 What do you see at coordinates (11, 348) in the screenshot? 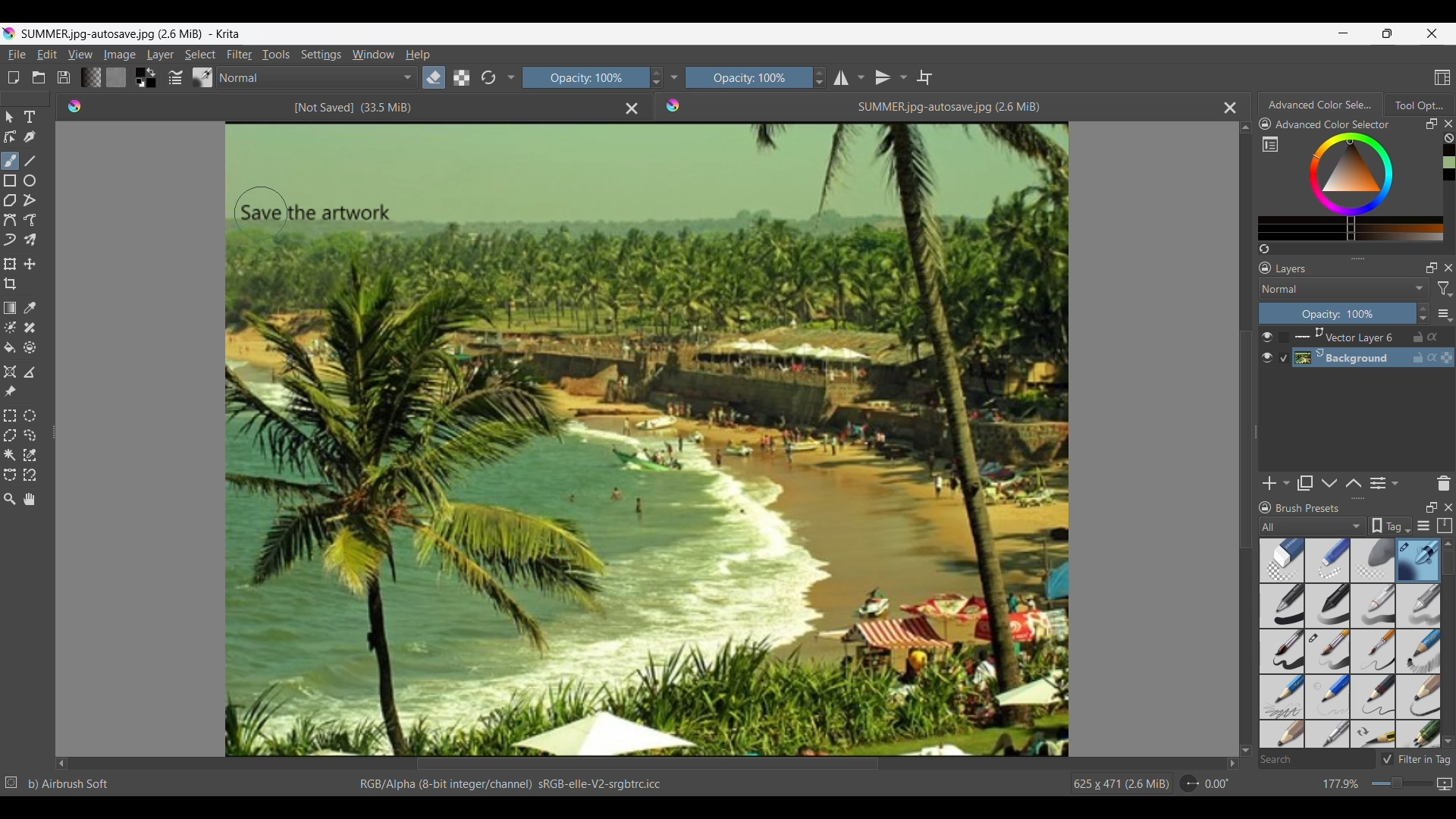
I see `Fill tool` at bounding box center [11, 348].